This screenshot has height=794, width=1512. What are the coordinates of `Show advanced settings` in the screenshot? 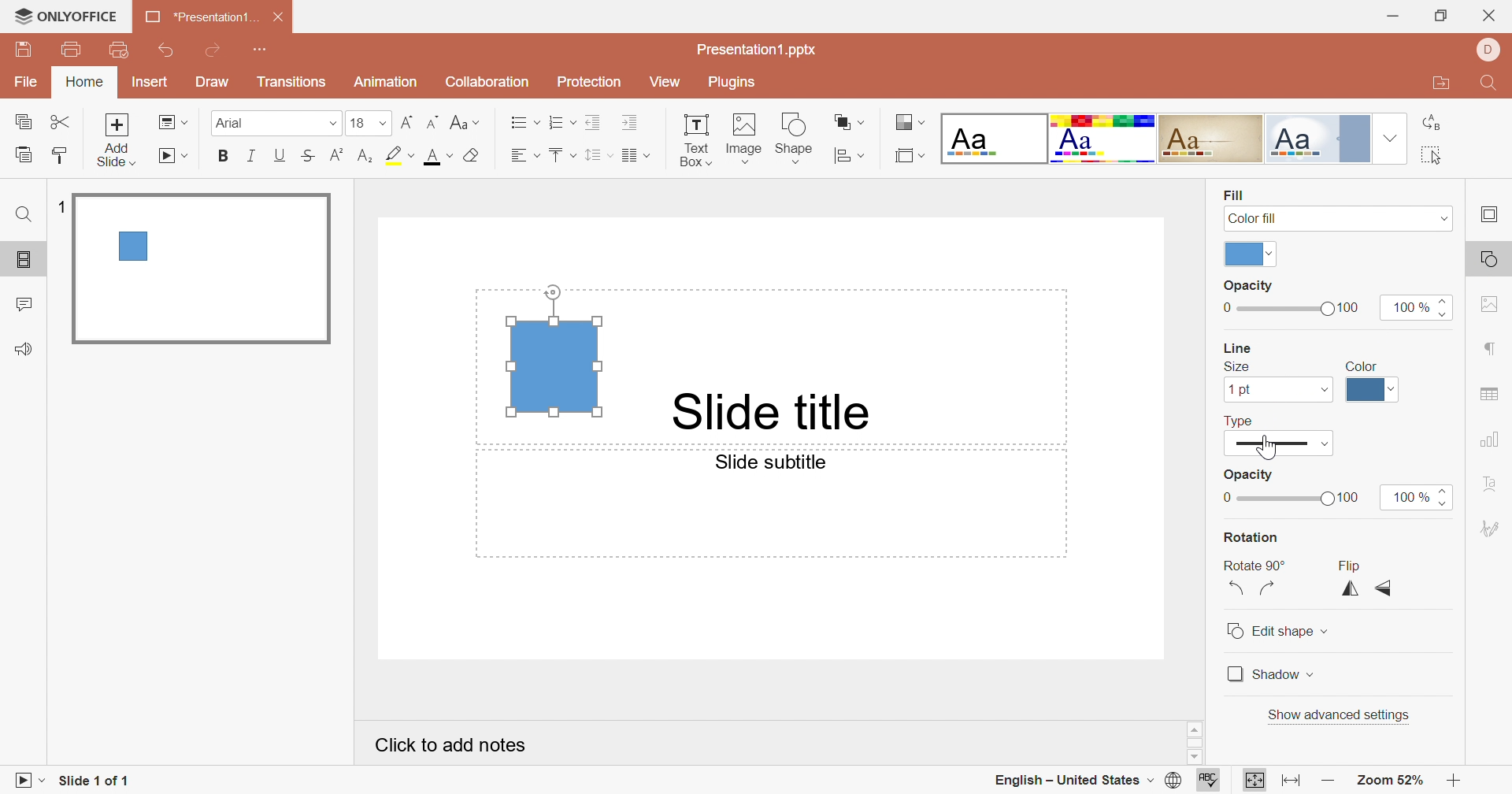 It's located at (1340, 714).